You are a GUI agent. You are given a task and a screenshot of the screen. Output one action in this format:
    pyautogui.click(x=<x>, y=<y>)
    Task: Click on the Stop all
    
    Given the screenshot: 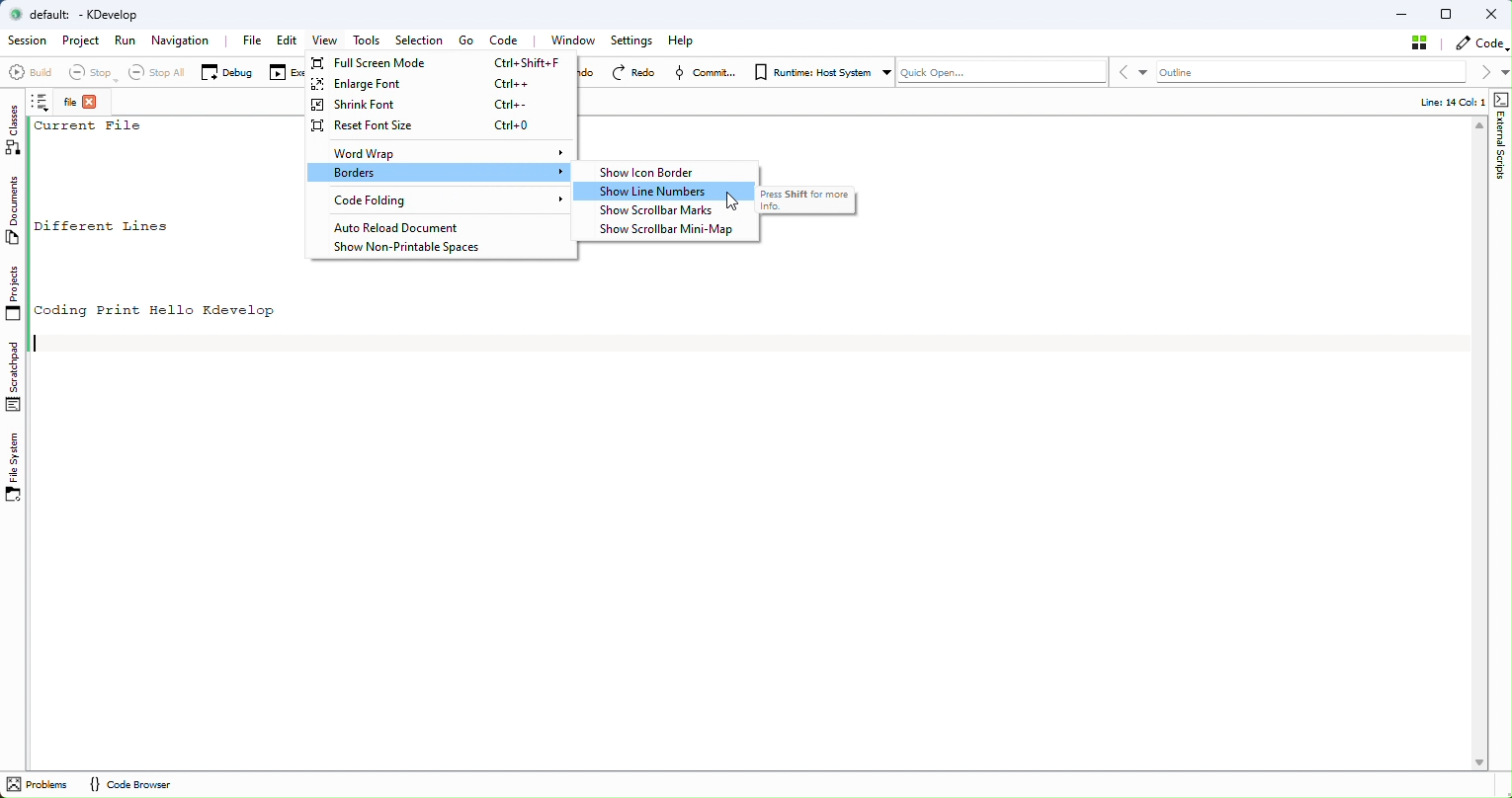 What is the action you would take?
    pyautogui.click(x=151, y=72)
    